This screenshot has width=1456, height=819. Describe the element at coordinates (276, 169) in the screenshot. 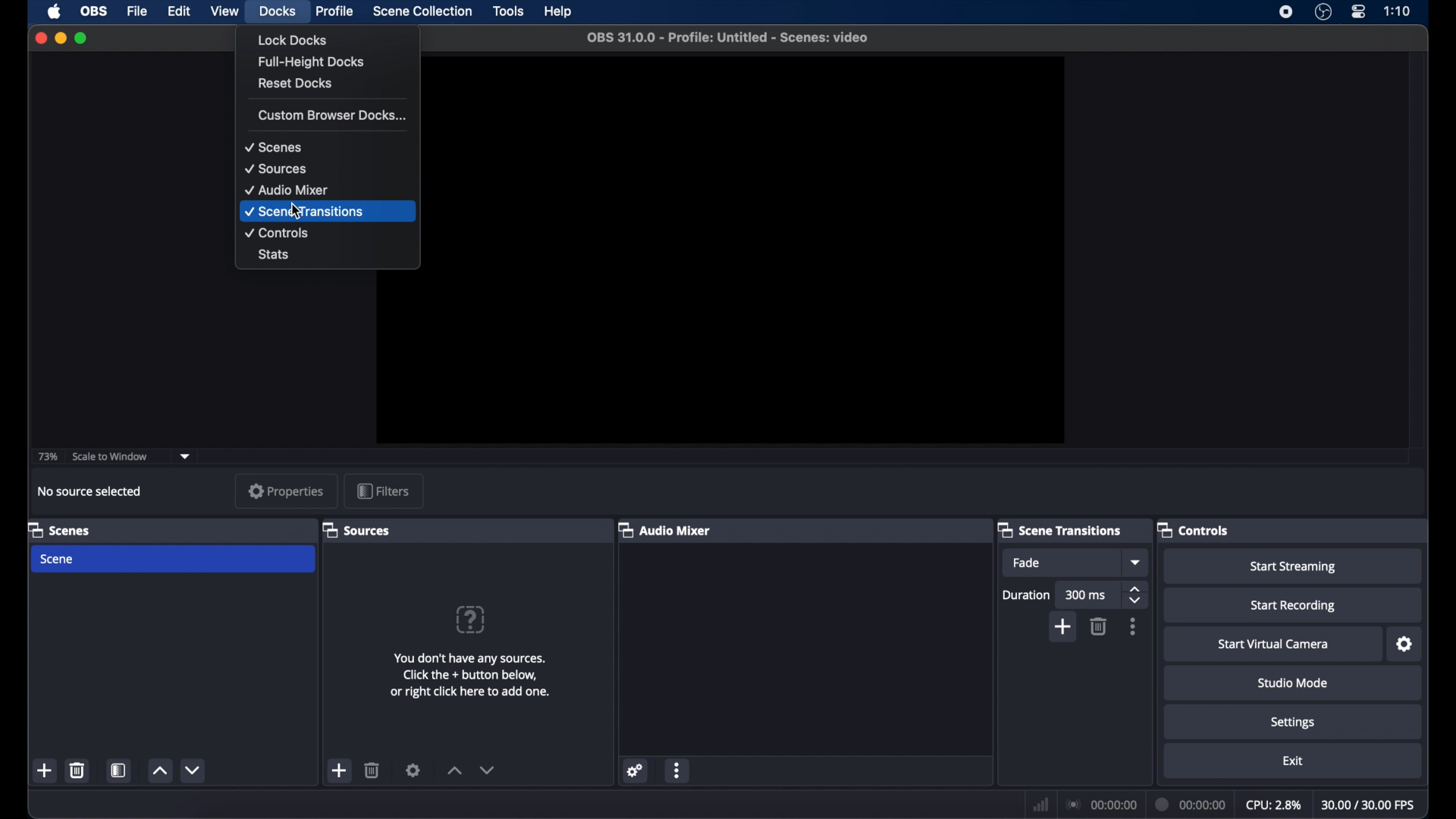

I see `sources` at that location.